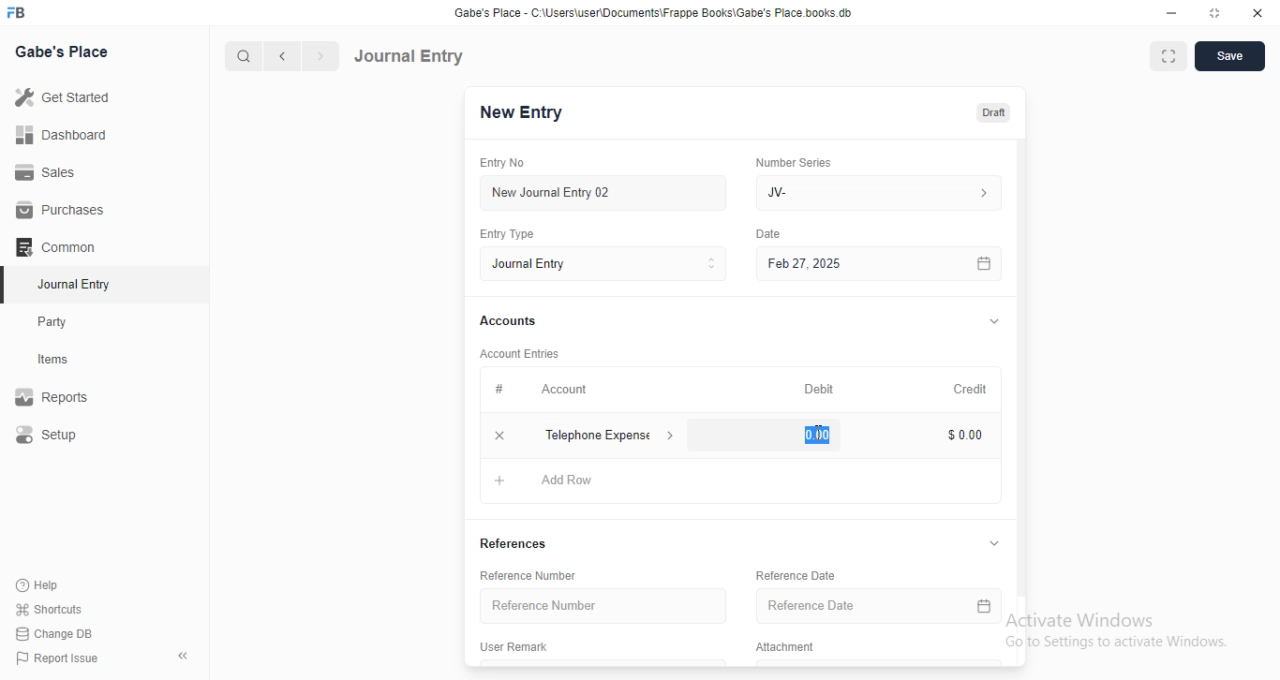  Describe the element at coordinates (788, 576) in the screenshot. I see `‘Reference Date` at that location.